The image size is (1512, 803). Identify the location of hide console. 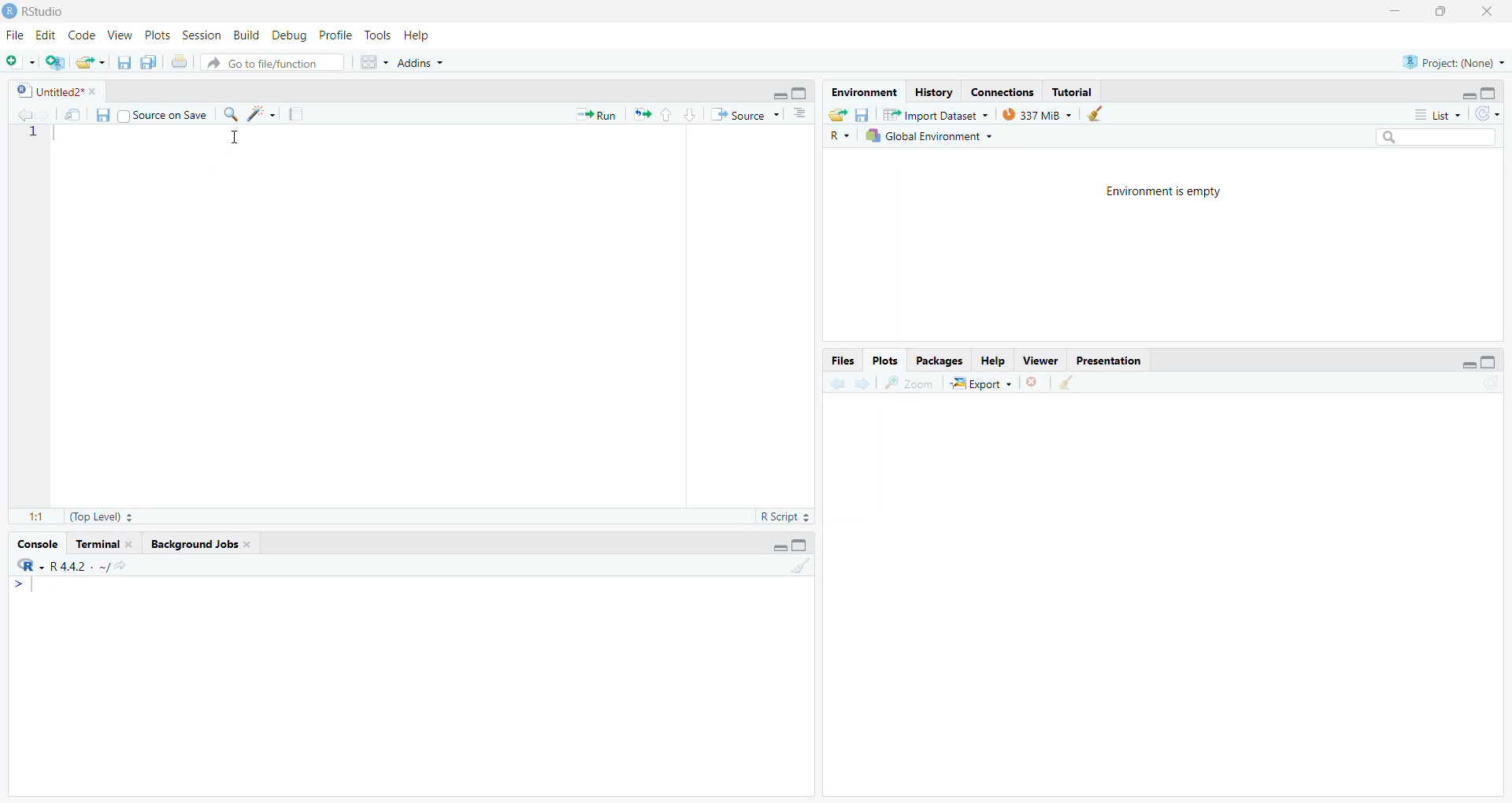
(802, 544).